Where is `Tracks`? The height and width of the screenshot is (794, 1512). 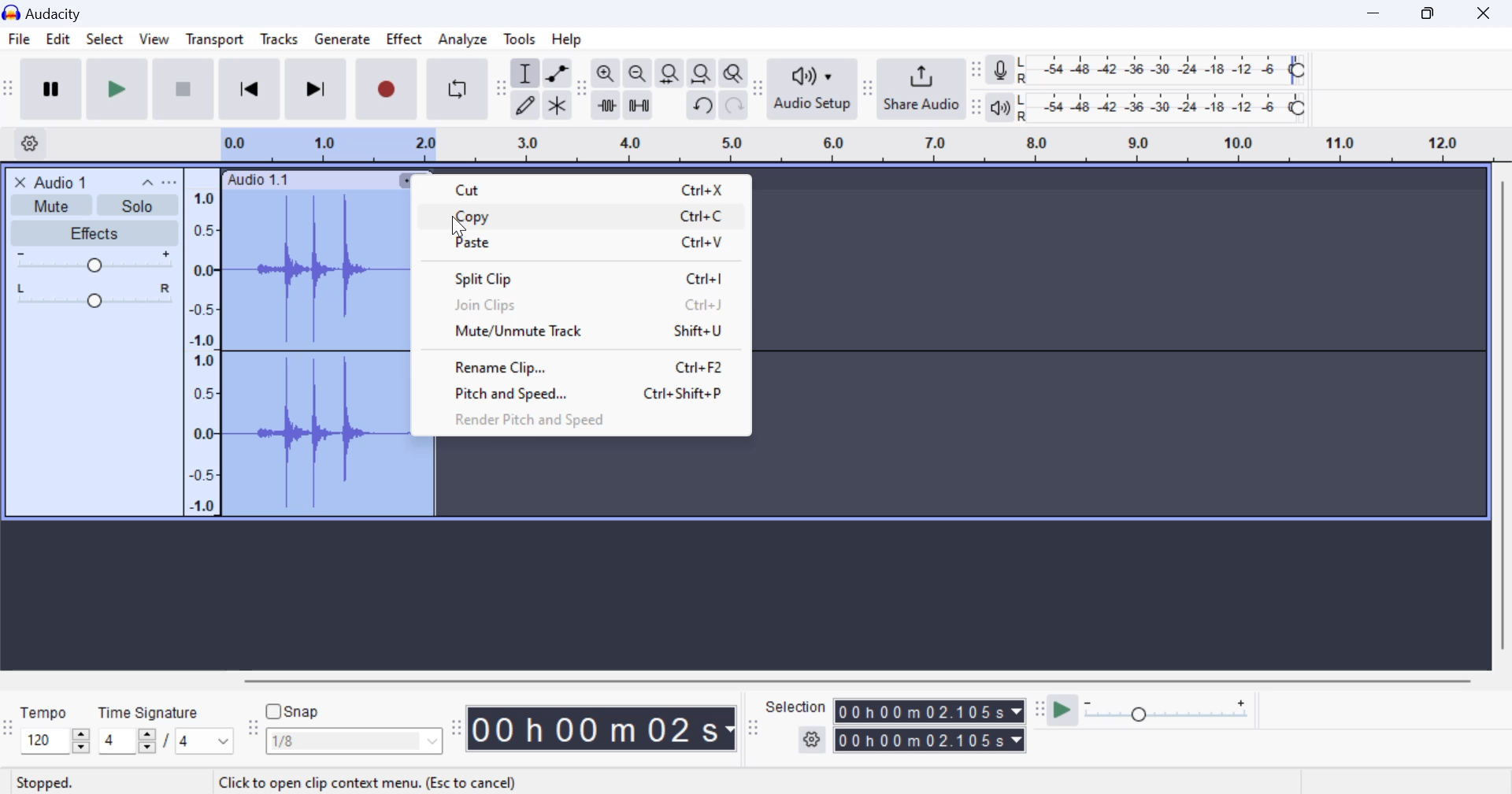
Tracks is located at coordinates (280, 43).